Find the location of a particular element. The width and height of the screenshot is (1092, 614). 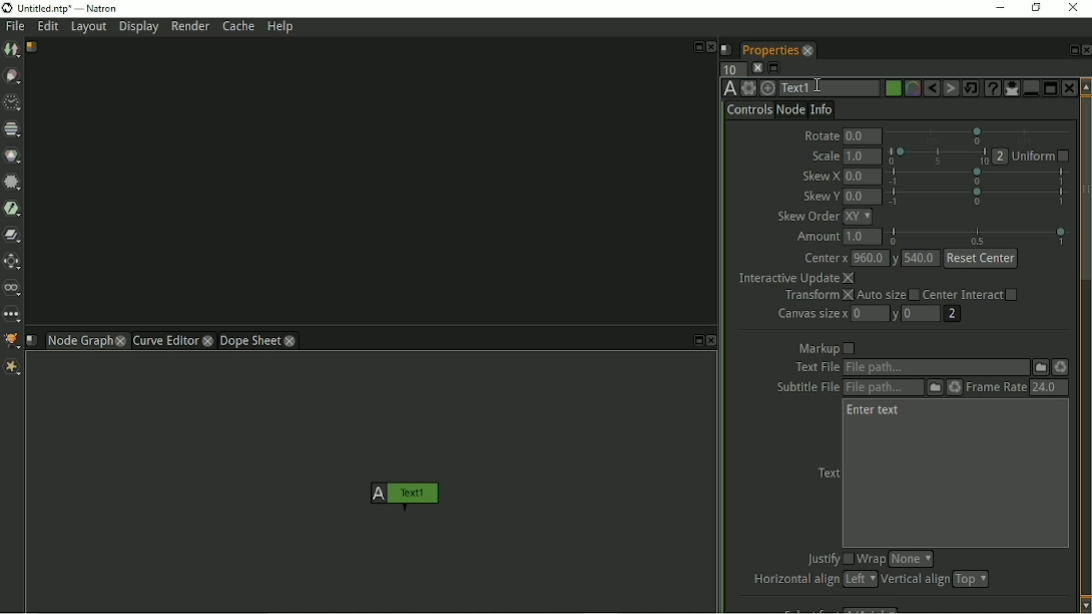

selection bar is located at coordinates (979, 135).